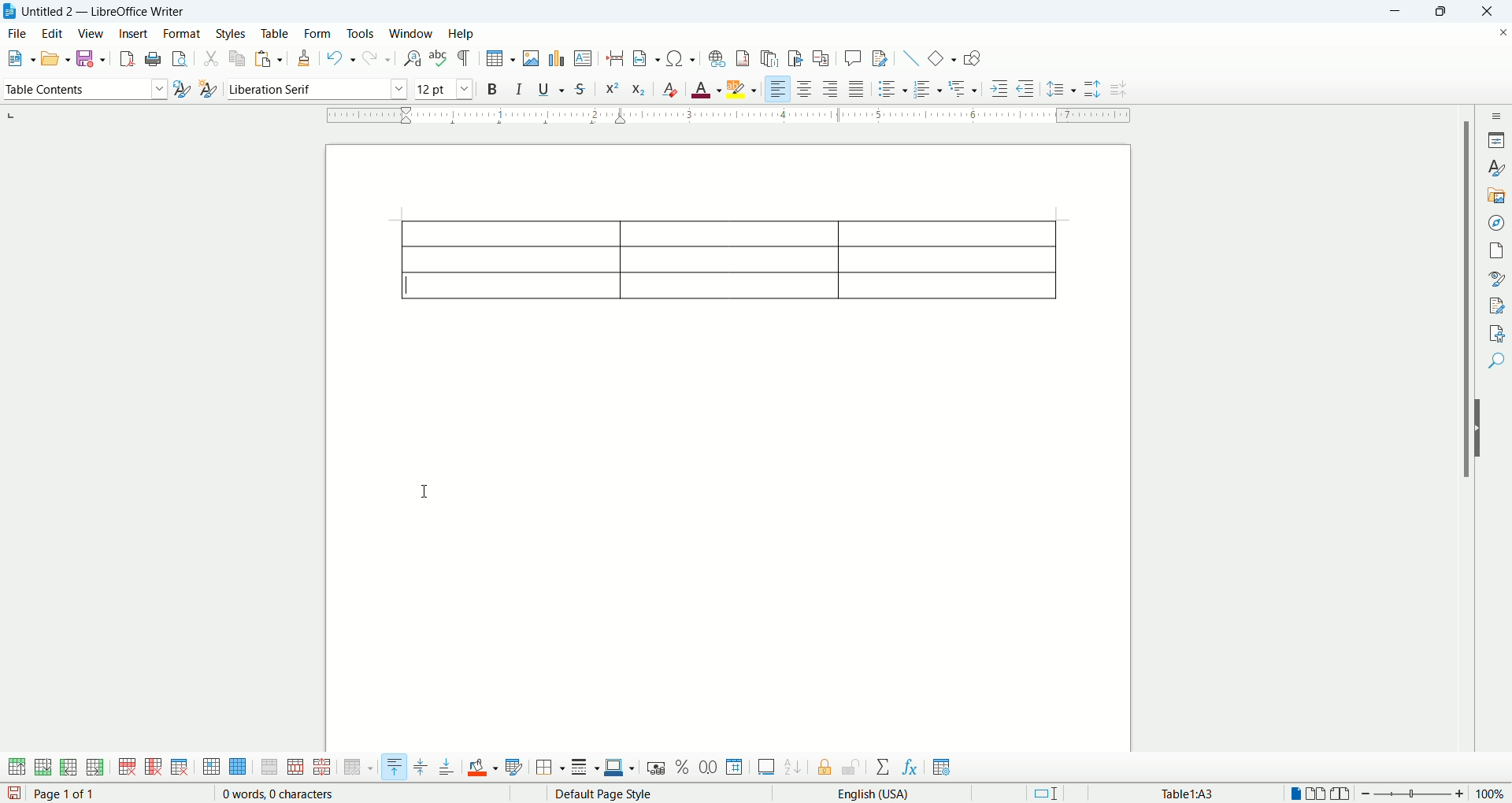 The width and height of the screenshot is (1512, 803). Describe the element at coordinates (1436, 794) in the screenshot. I see `zoom factor` at that location.